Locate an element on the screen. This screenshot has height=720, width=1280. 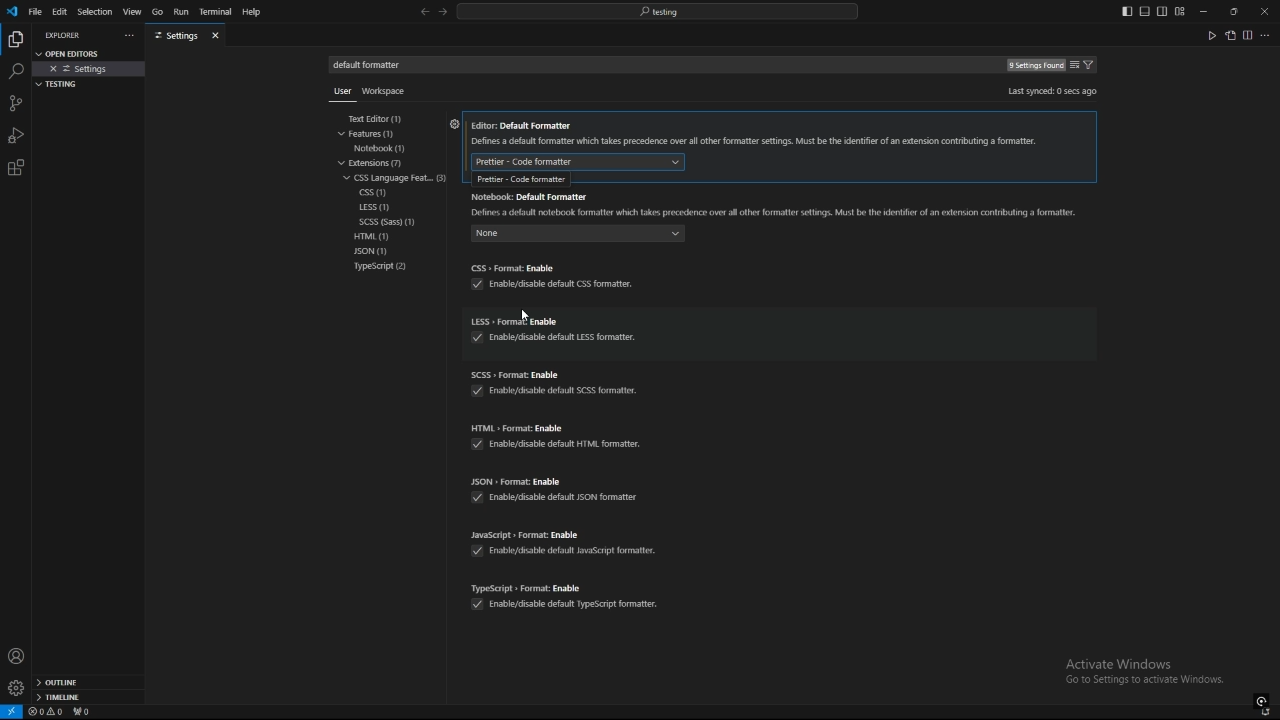
html is located at coordinates (377, 236).